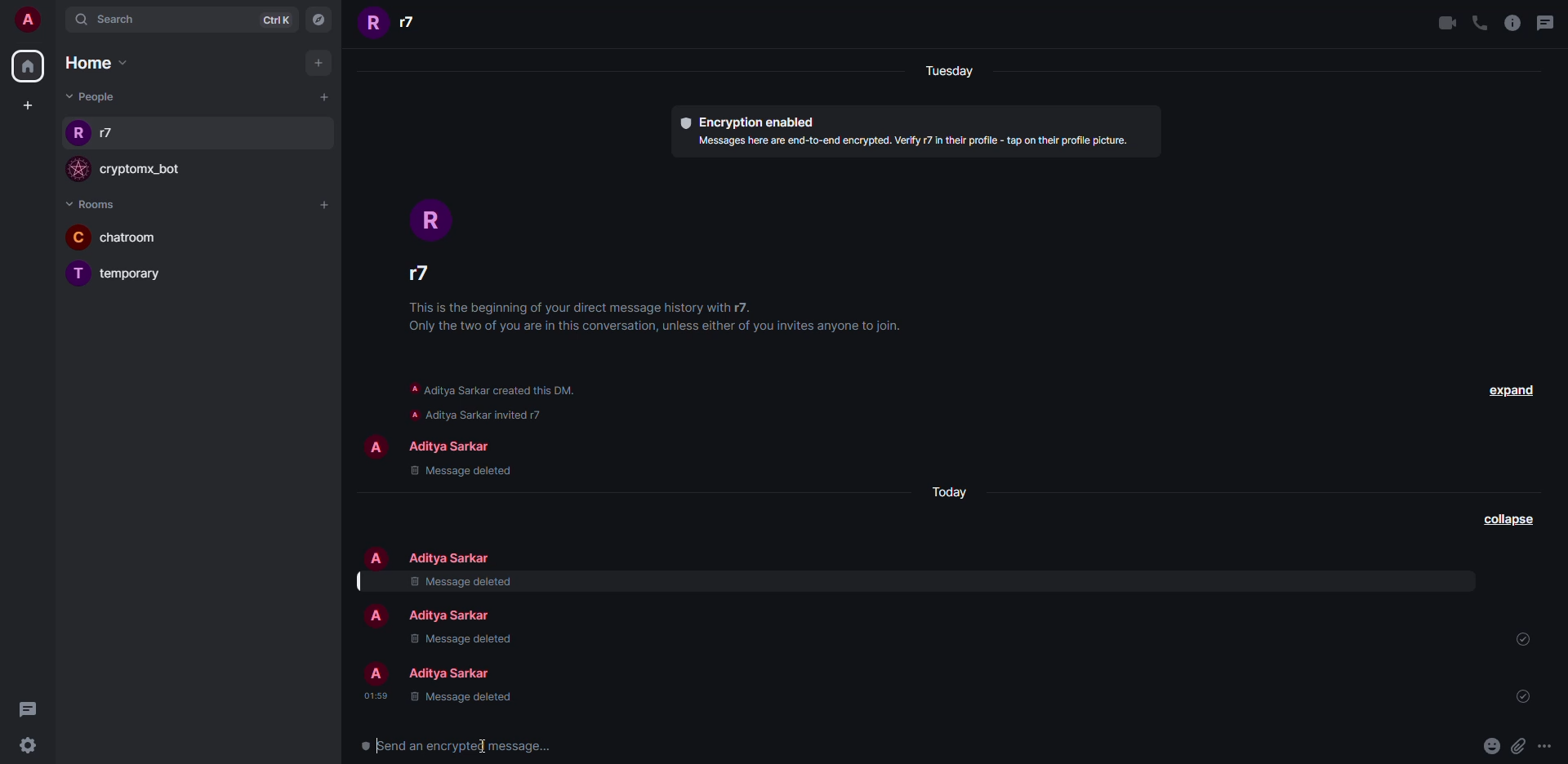 The width and height of the screenshot is (1568, 764). I want to click on send encrypted message, so click(448, 745).